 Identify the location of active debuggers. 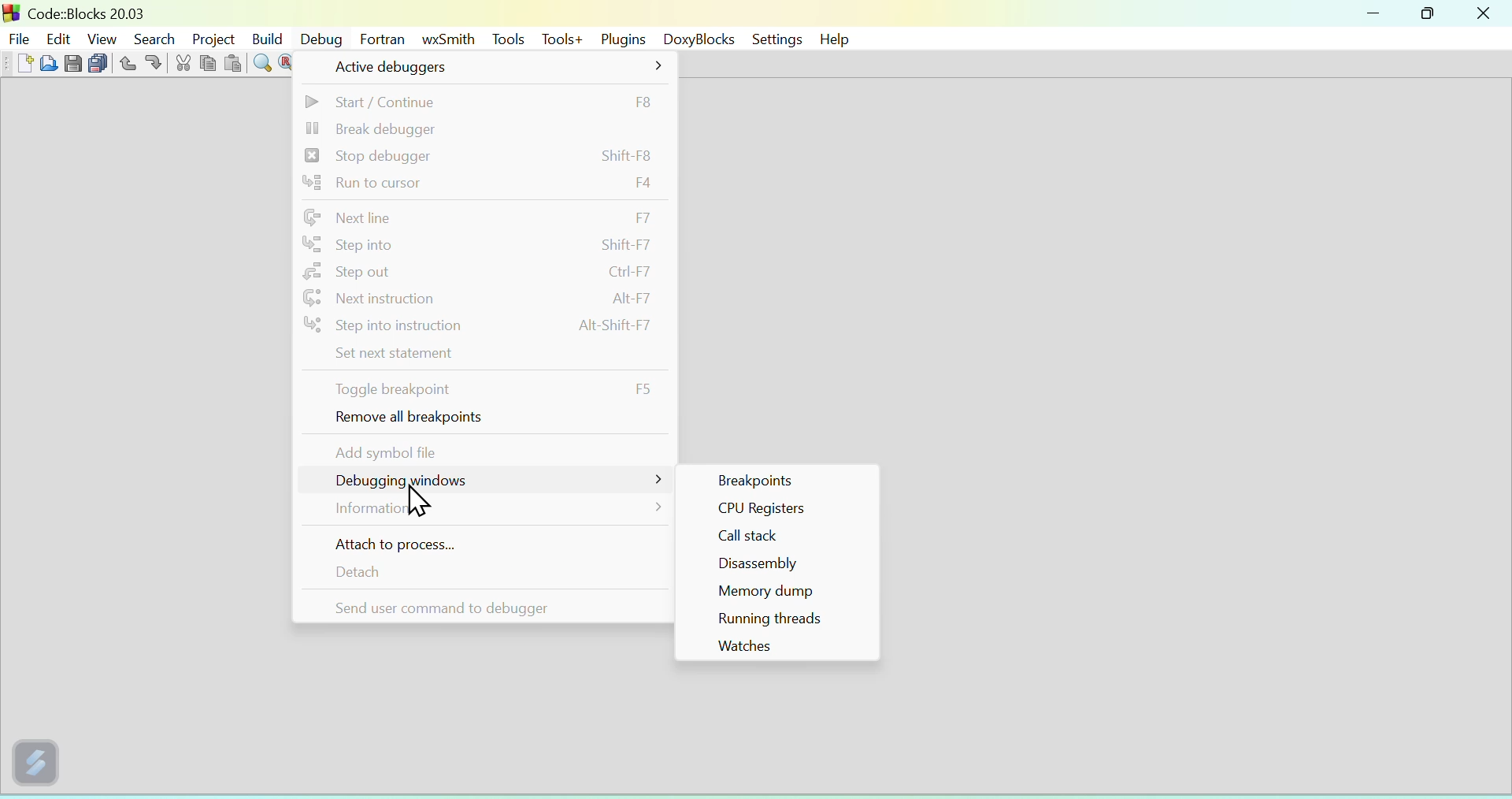
(492, 67).